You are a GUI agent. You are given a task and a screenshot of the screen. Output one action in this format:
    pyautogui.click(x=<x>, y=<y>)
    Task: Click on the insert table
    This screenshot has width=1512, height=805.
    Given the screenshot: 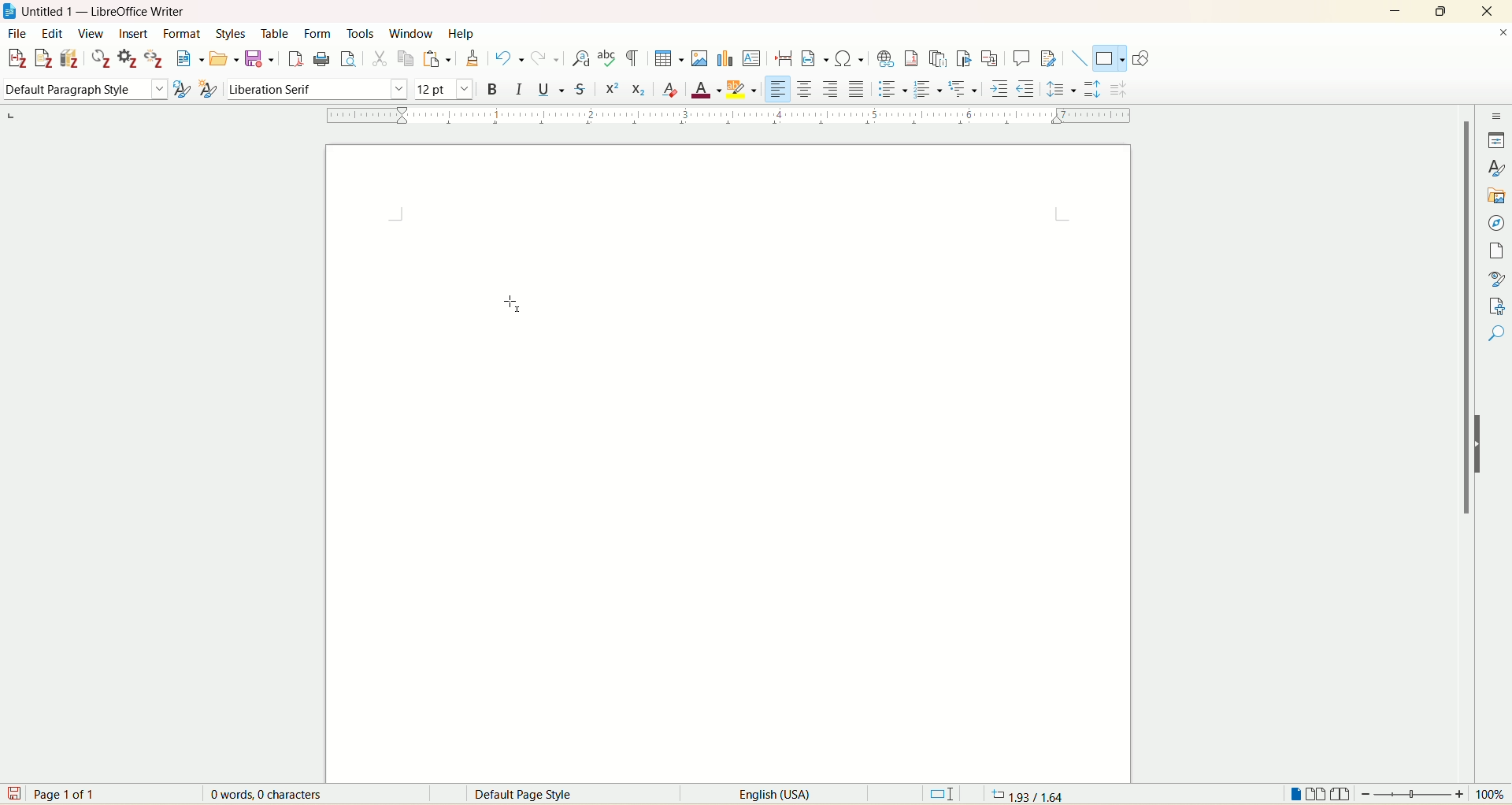 What is the action you would take?
    pyautogui.click(x=669, y=57)
    